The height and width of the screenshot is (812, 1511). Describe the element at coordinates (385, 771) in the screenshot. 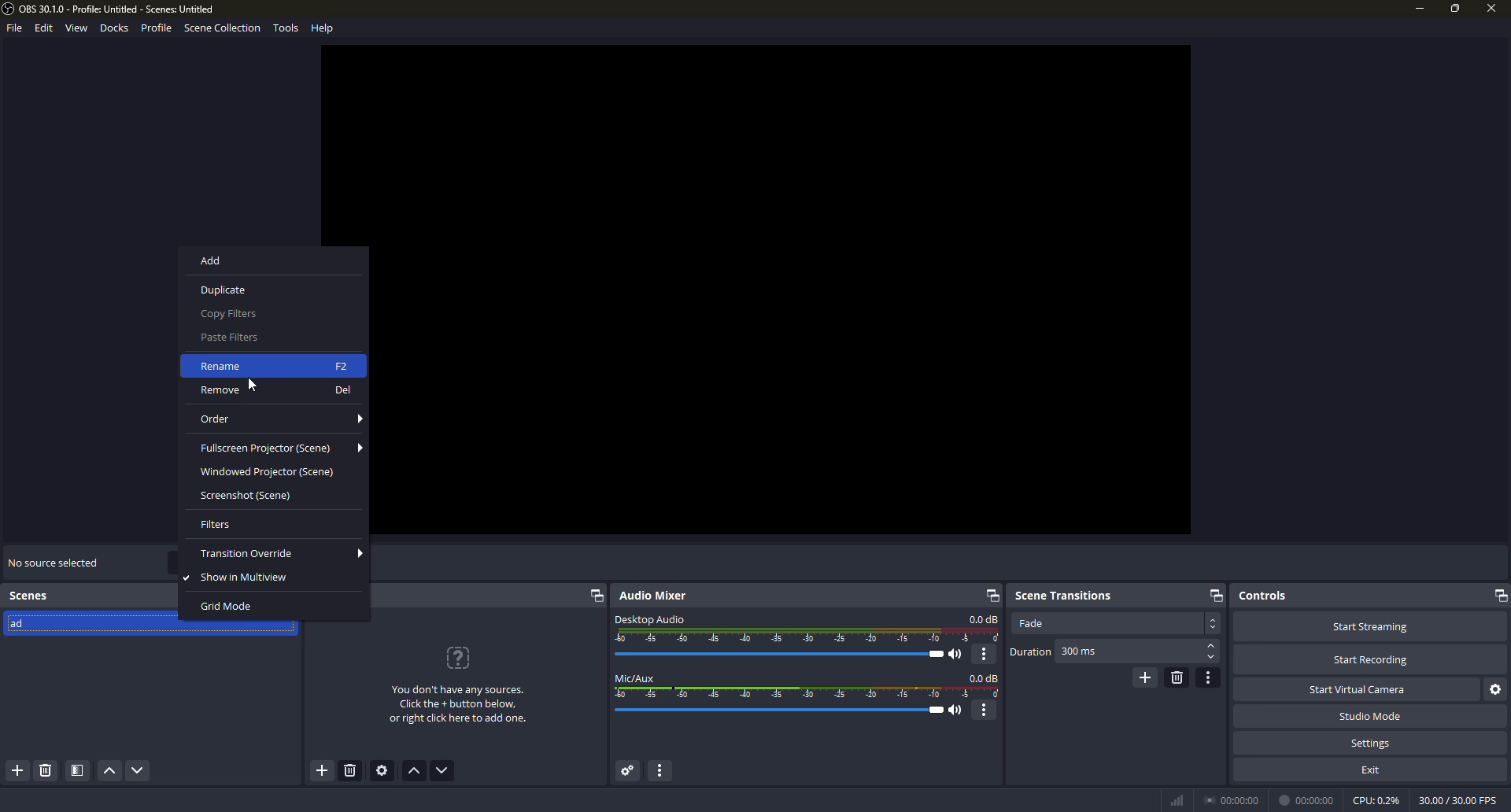

I see `open source properties` at that location.